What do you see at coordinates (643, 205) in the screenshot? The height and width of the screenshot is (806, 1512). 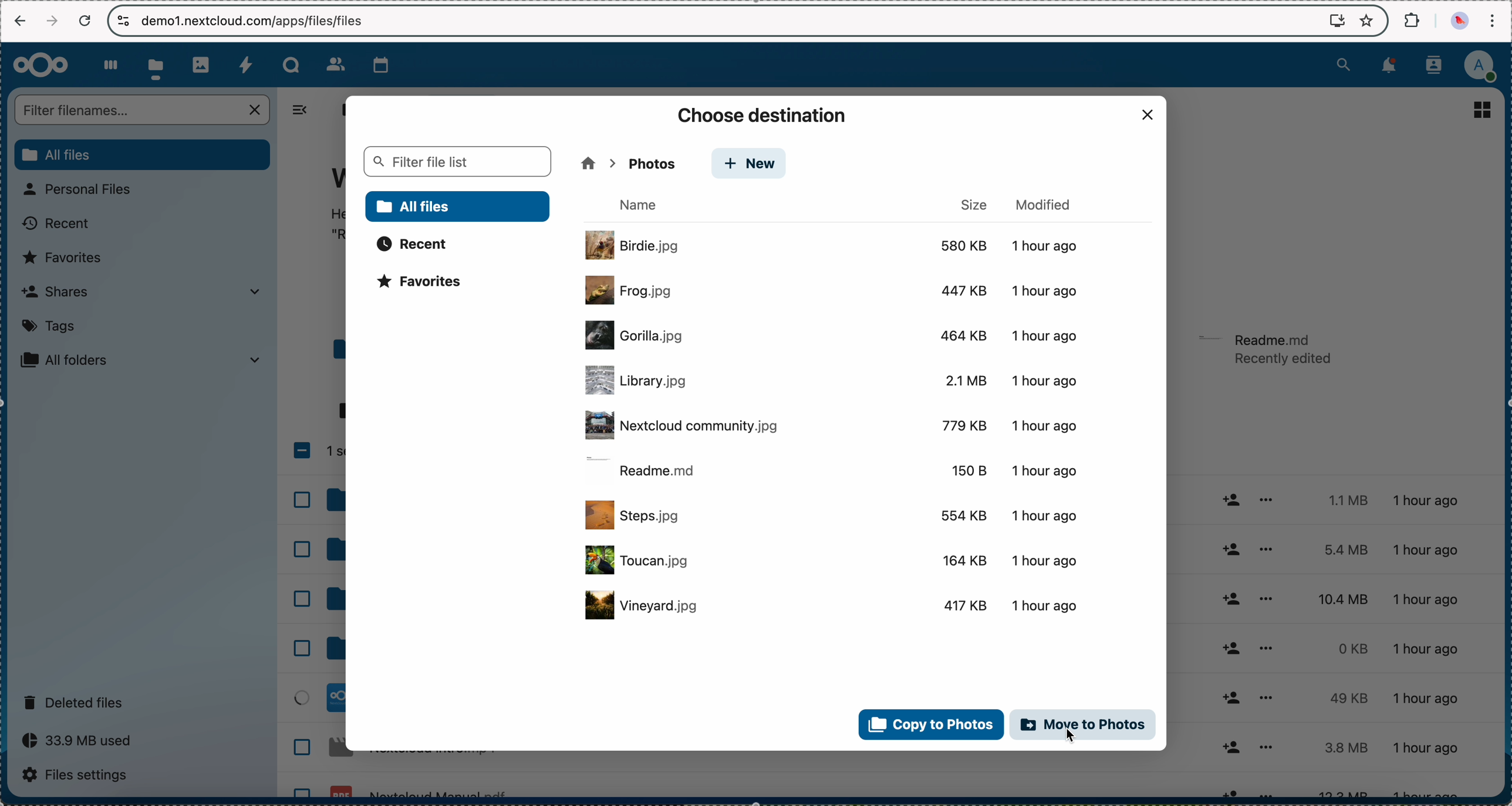 I see `name` at bounding box center [643, 205].